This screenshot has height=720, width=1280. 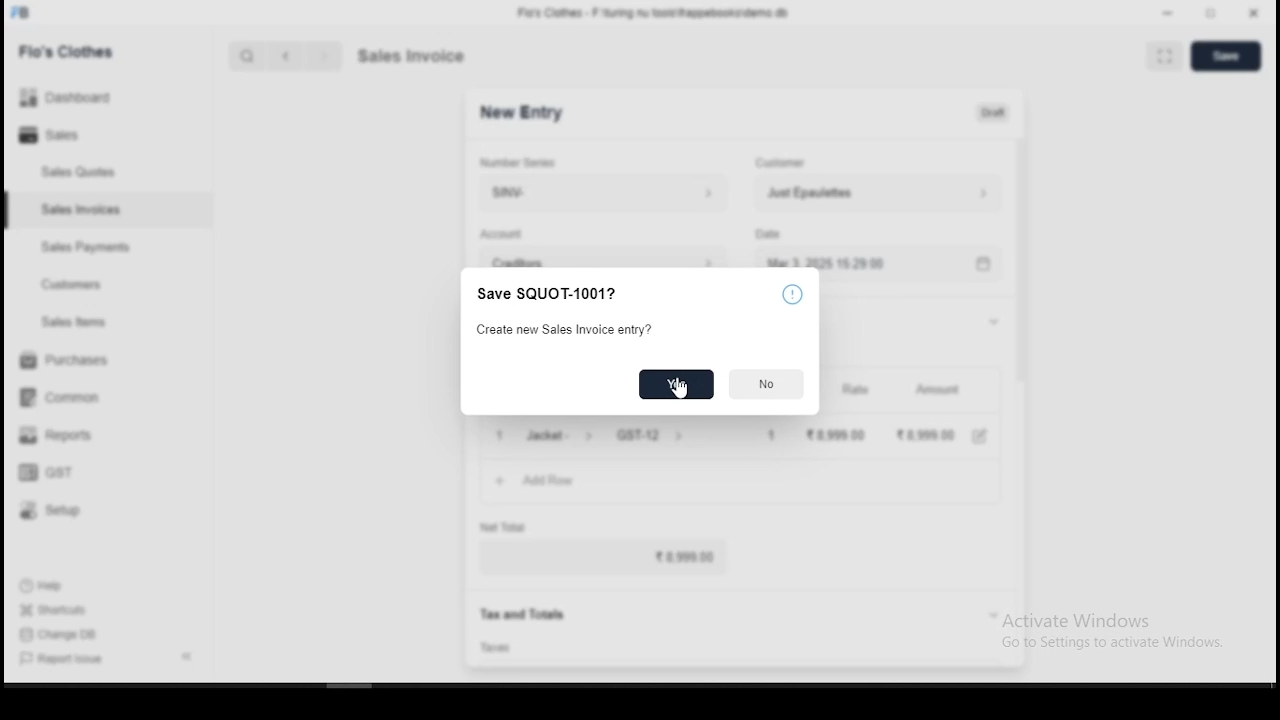 I want to click on 1 Jacket- >, so click(x=547, y=436).